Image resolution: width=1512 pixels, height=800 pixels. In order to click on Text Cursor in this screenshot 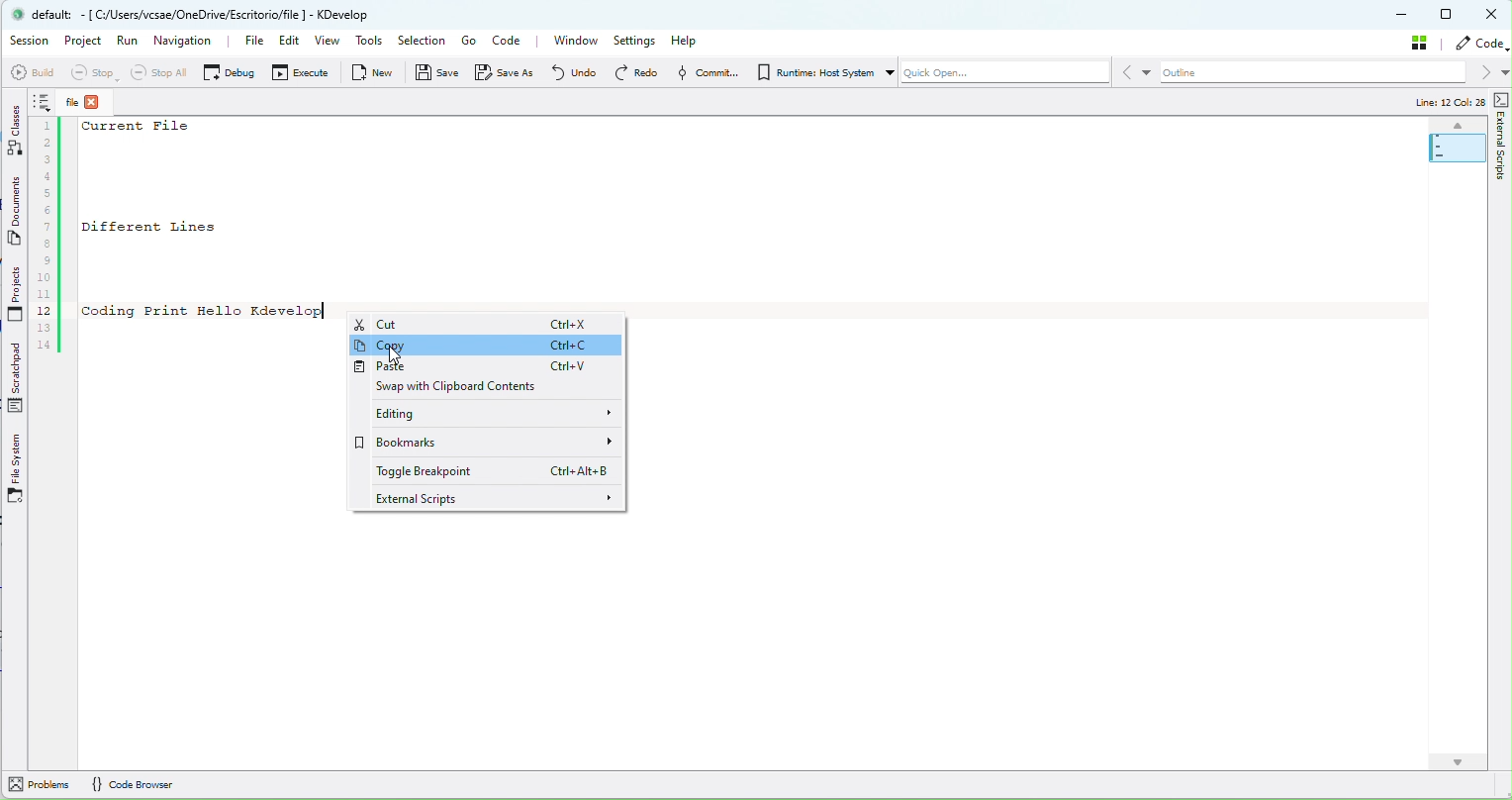, I will do `click(329, 310)`.